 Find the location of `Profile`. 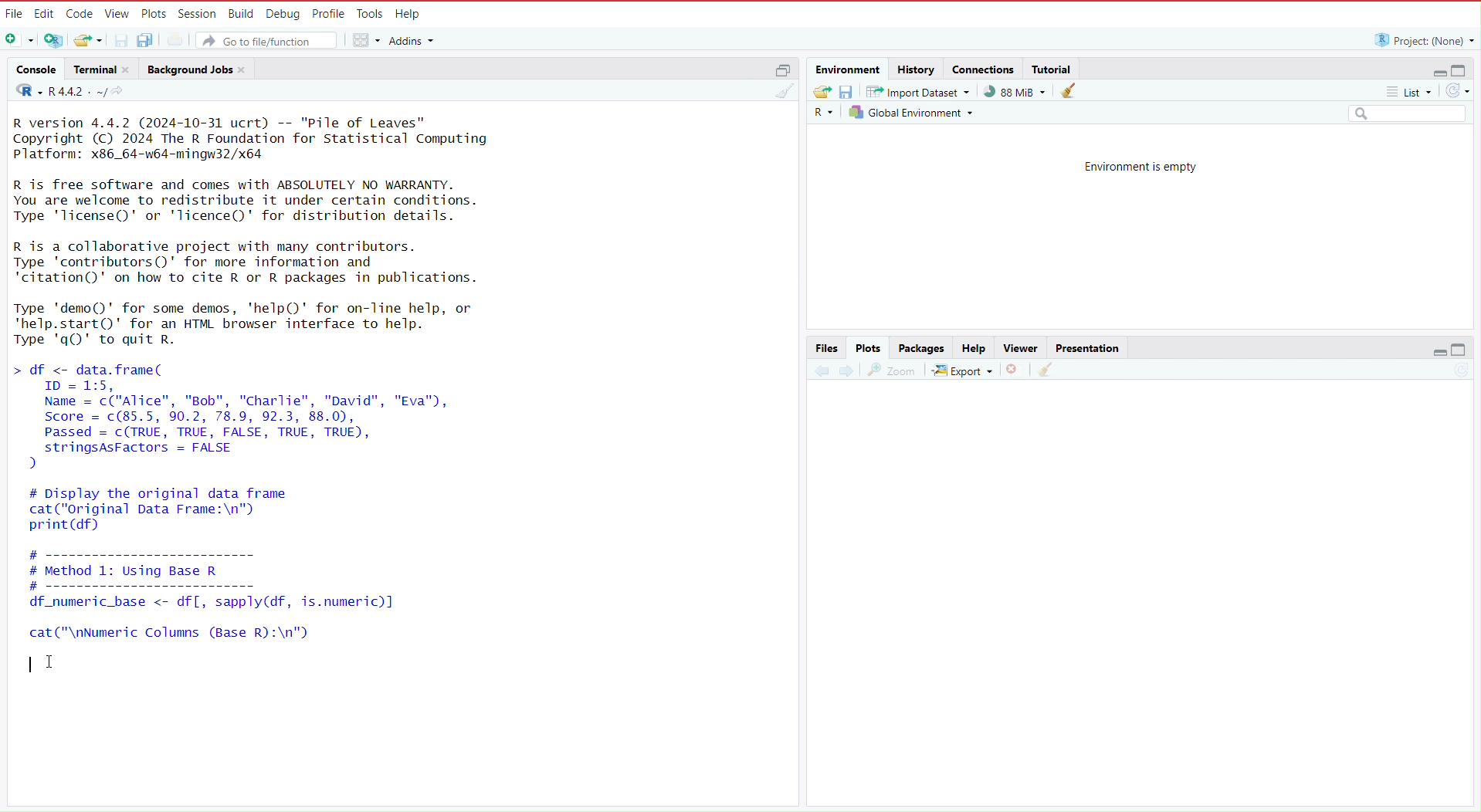

Profile is located at coordinates (329, 12).